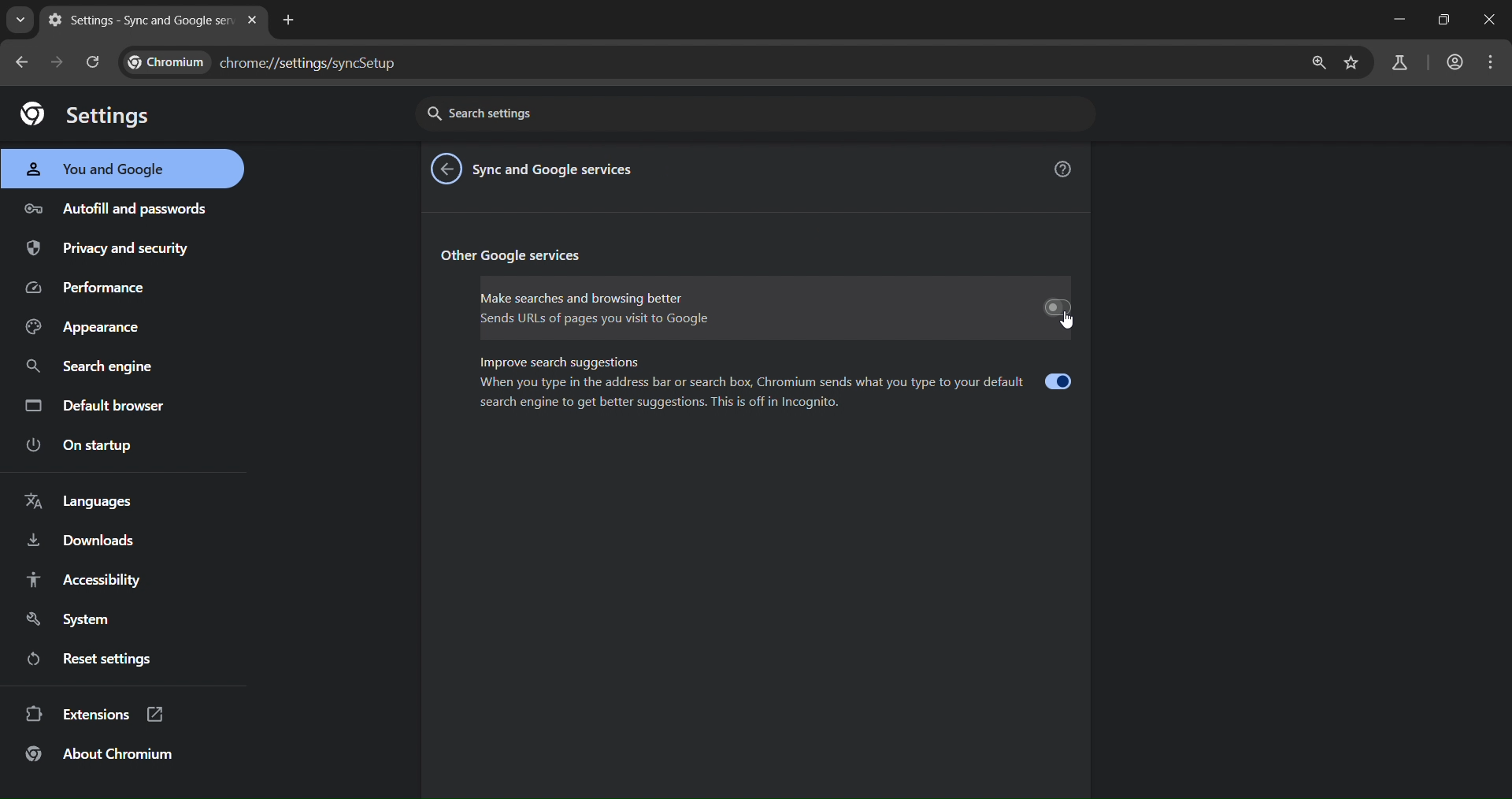 The image size is (1512, 799). I want to click on on startup, so click(89, 447).